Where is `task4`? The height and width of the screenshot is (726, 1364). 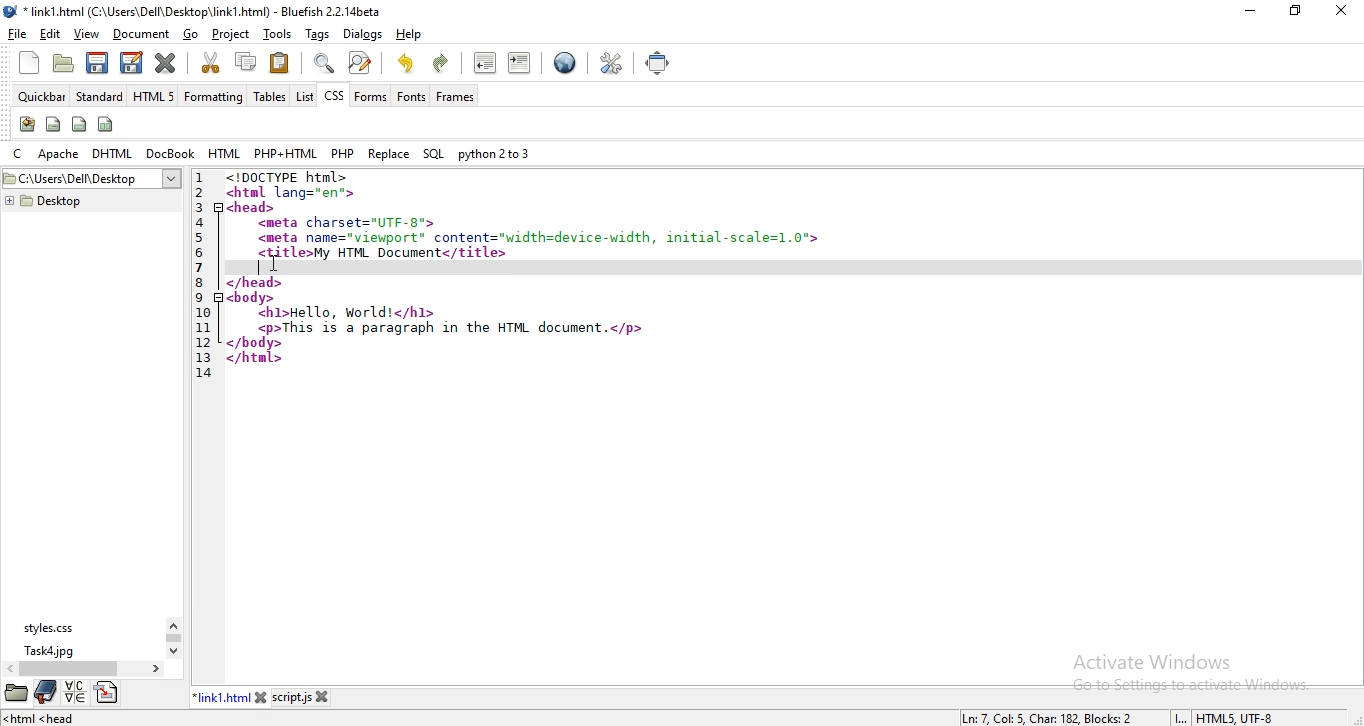 task4 is located at coordinates (51, 651).